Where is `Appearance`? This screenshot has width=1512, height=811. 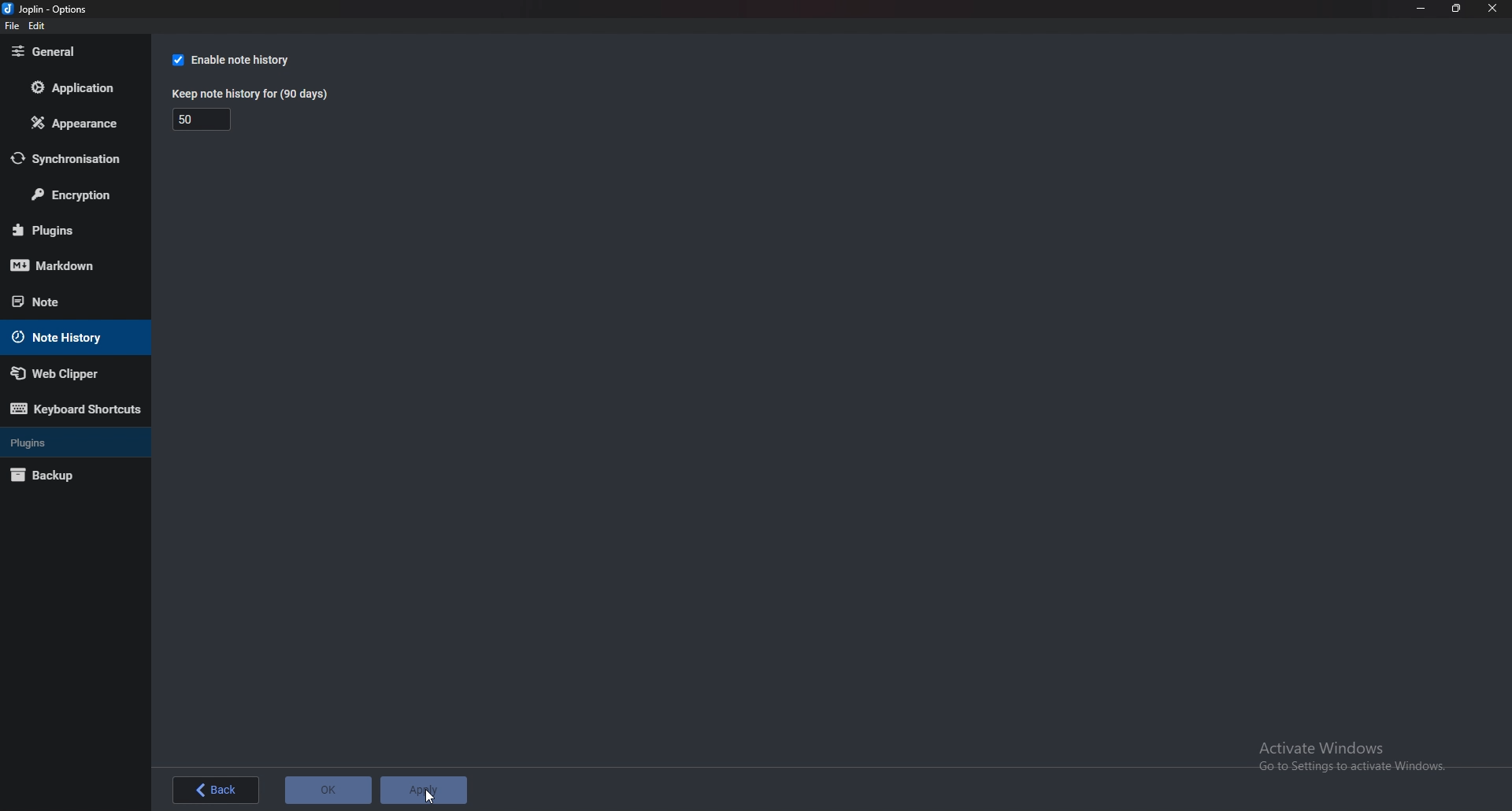
Appearance is located at coordinates (71, 127).